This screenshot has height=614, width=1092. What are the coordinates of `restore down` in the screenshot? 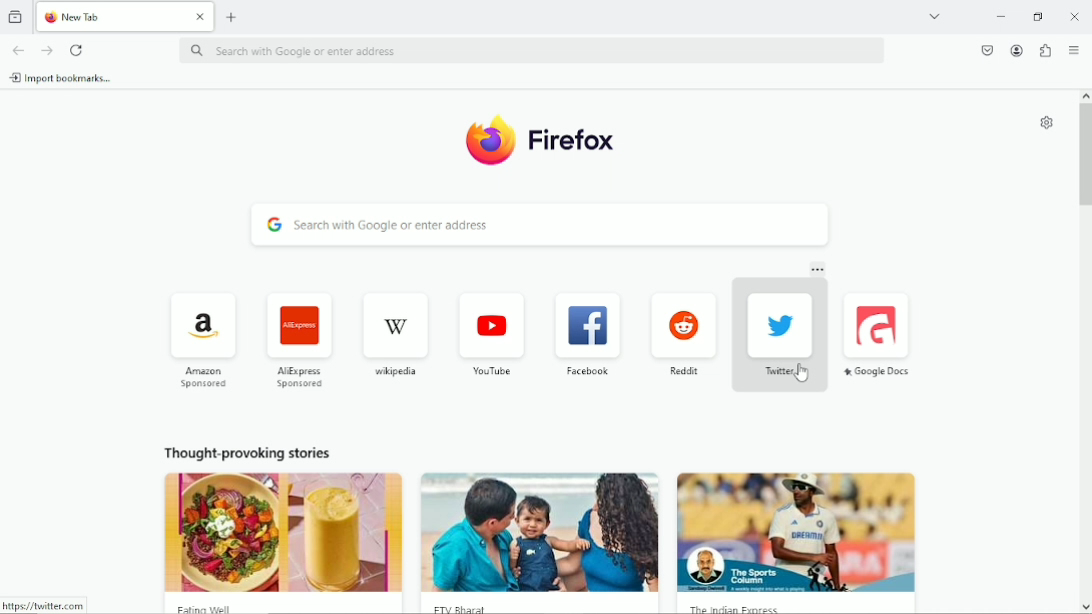 It's located at (1039, 16).